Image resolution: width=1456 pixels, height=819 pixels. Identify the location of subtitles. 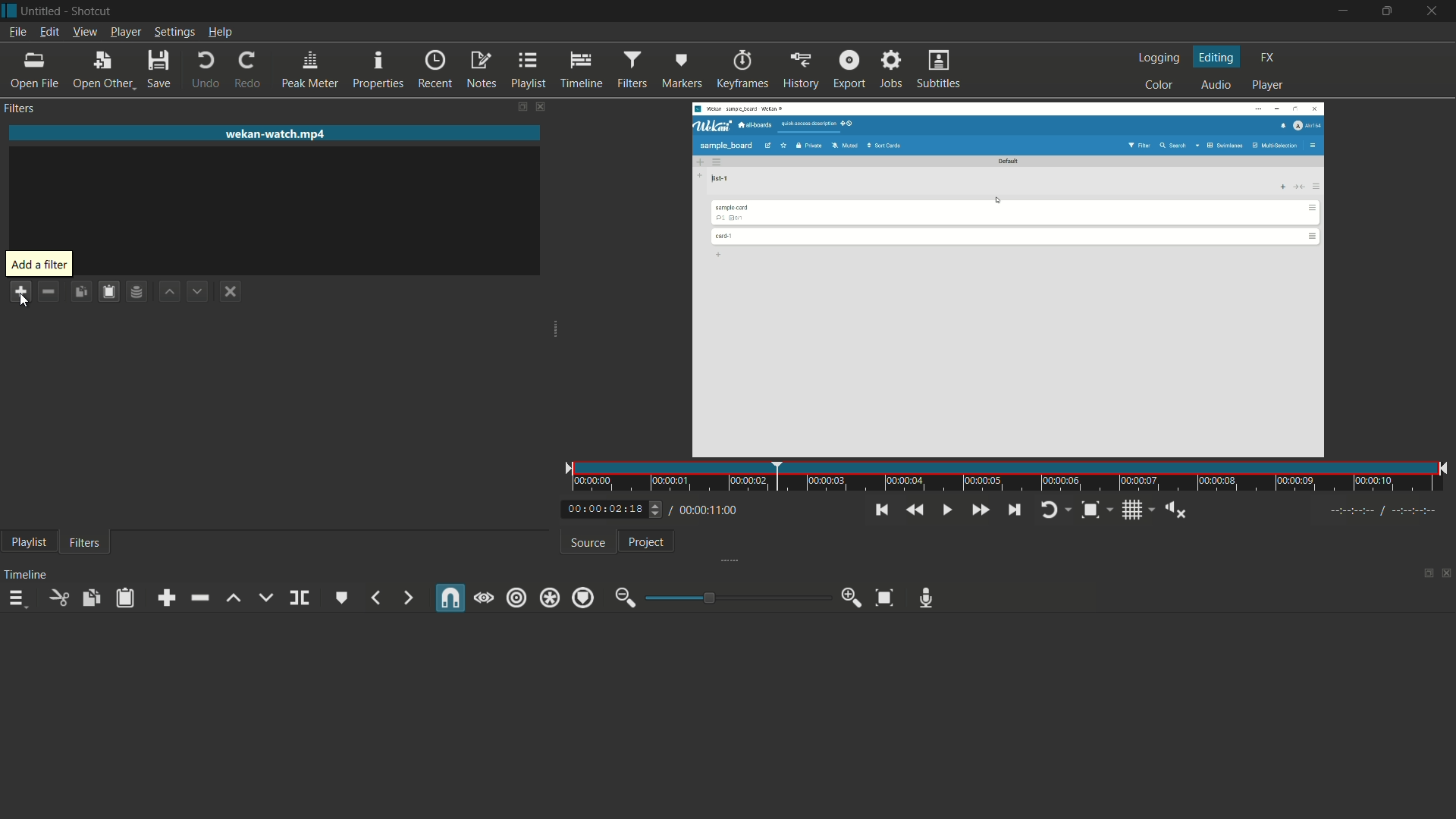
(940, 70).